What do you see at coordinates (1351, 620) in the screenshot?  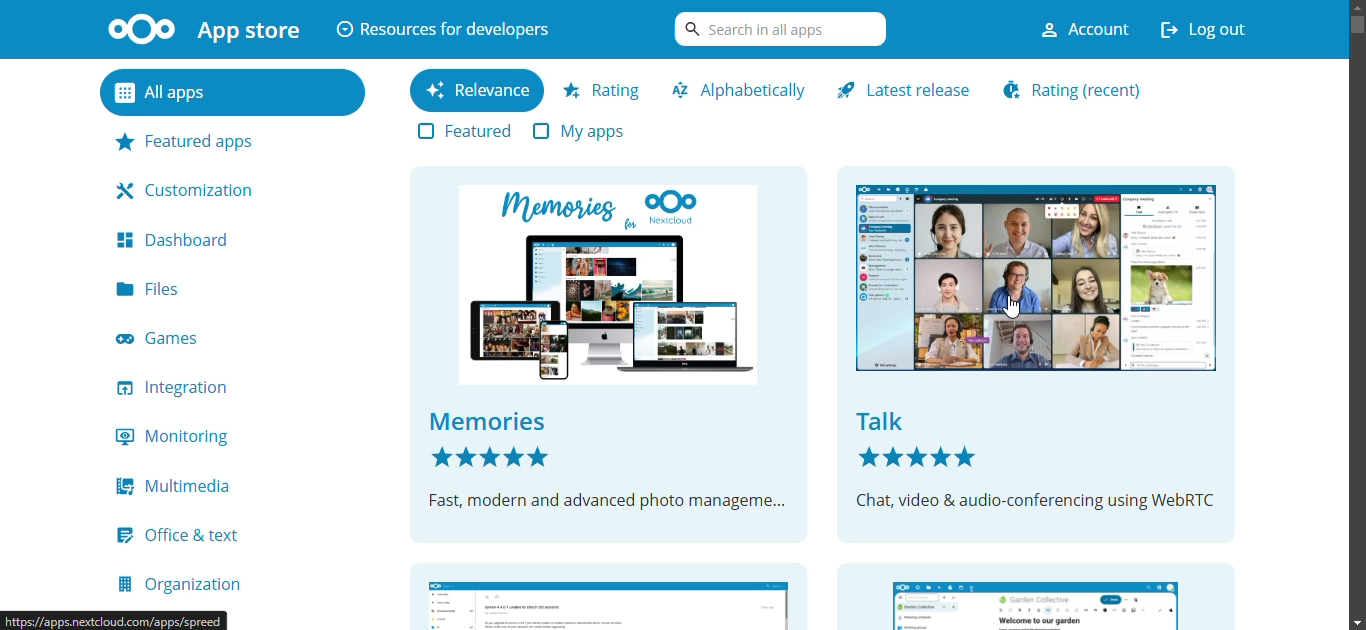 I see `scroll down` at bounding box center [1351, 620].